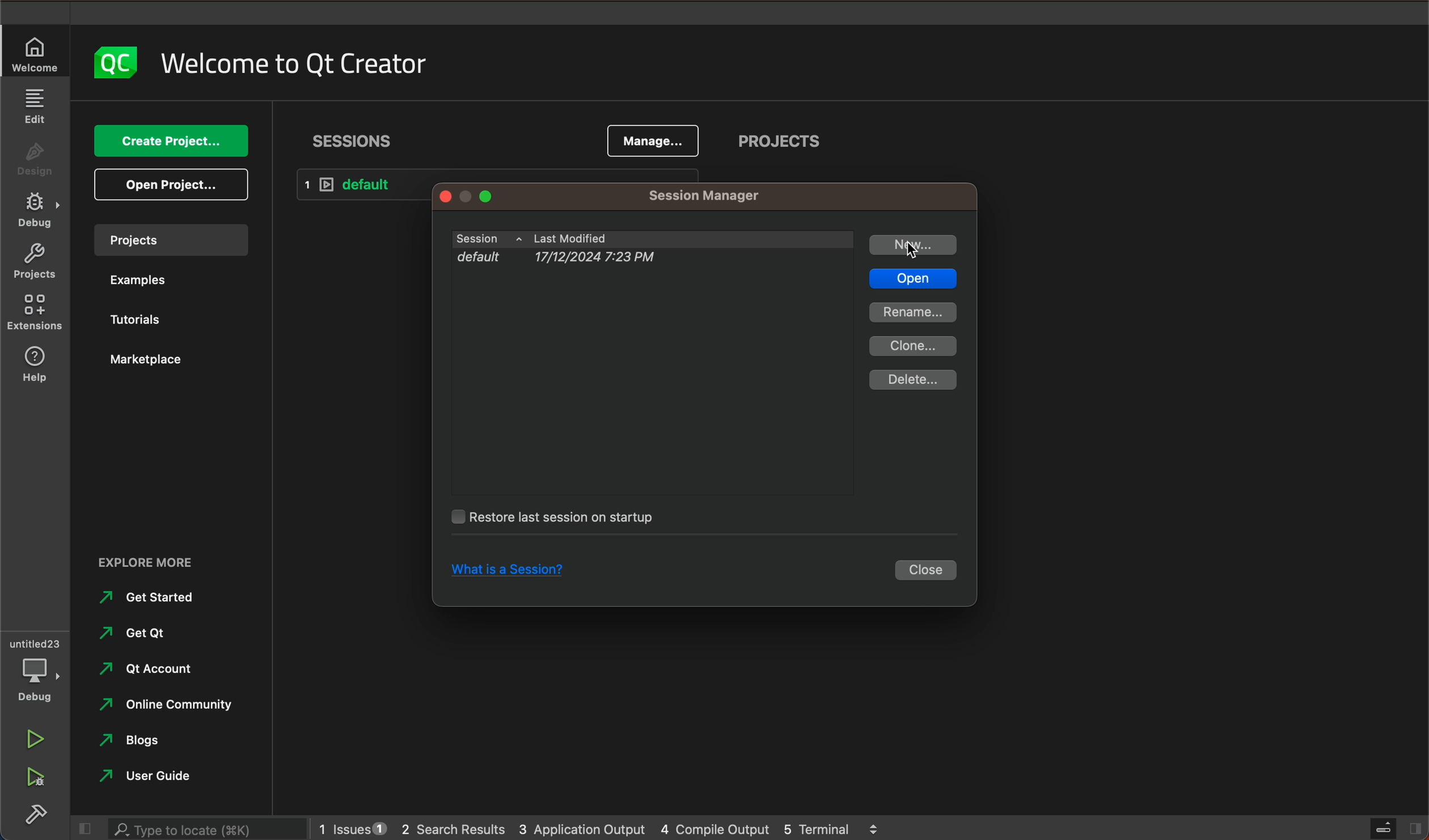 This screenshot has height=840, width=1429. I want to click on debug, so click(39, 680).